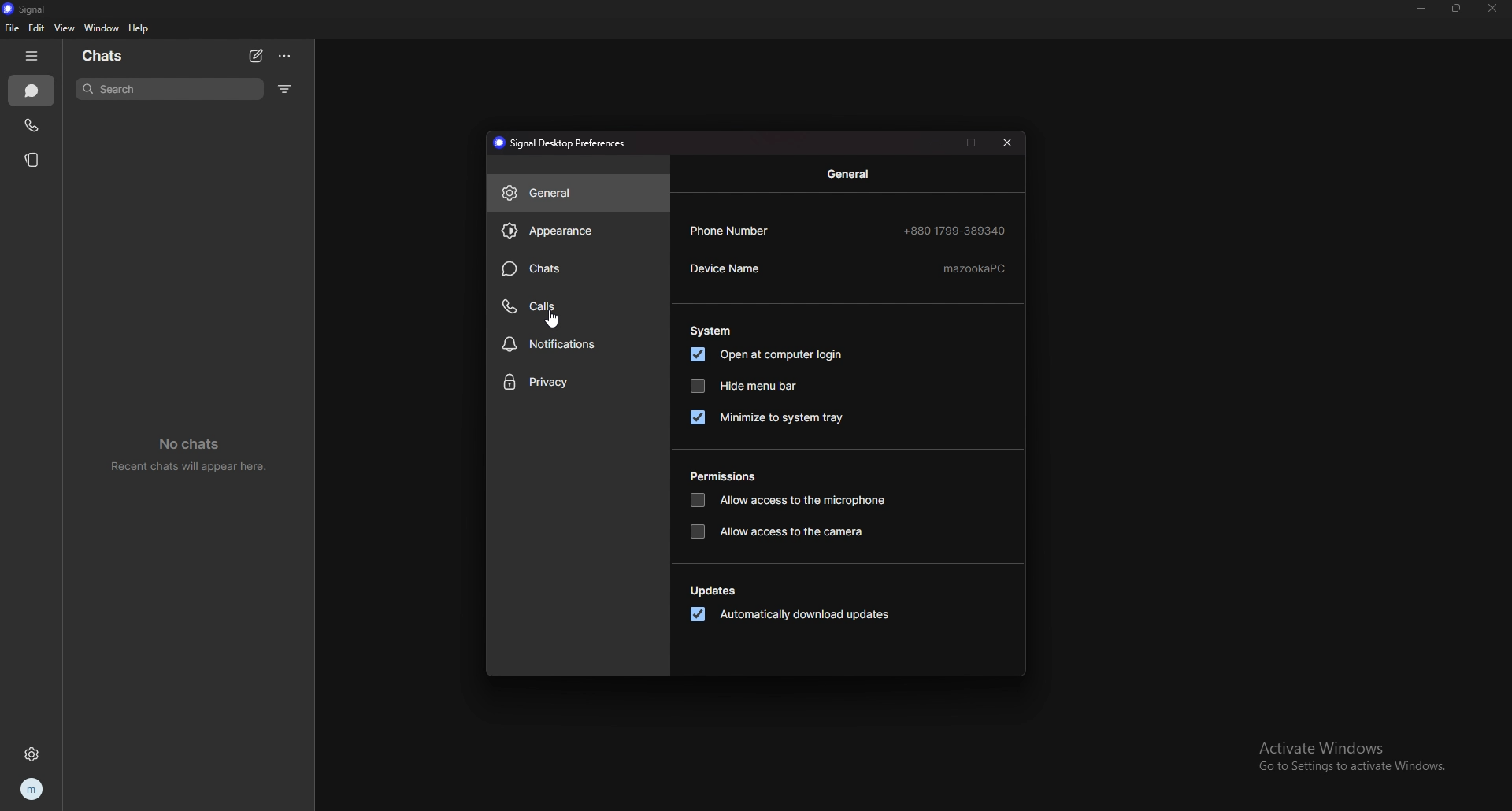  I want to click on settings, so click(35, 754).